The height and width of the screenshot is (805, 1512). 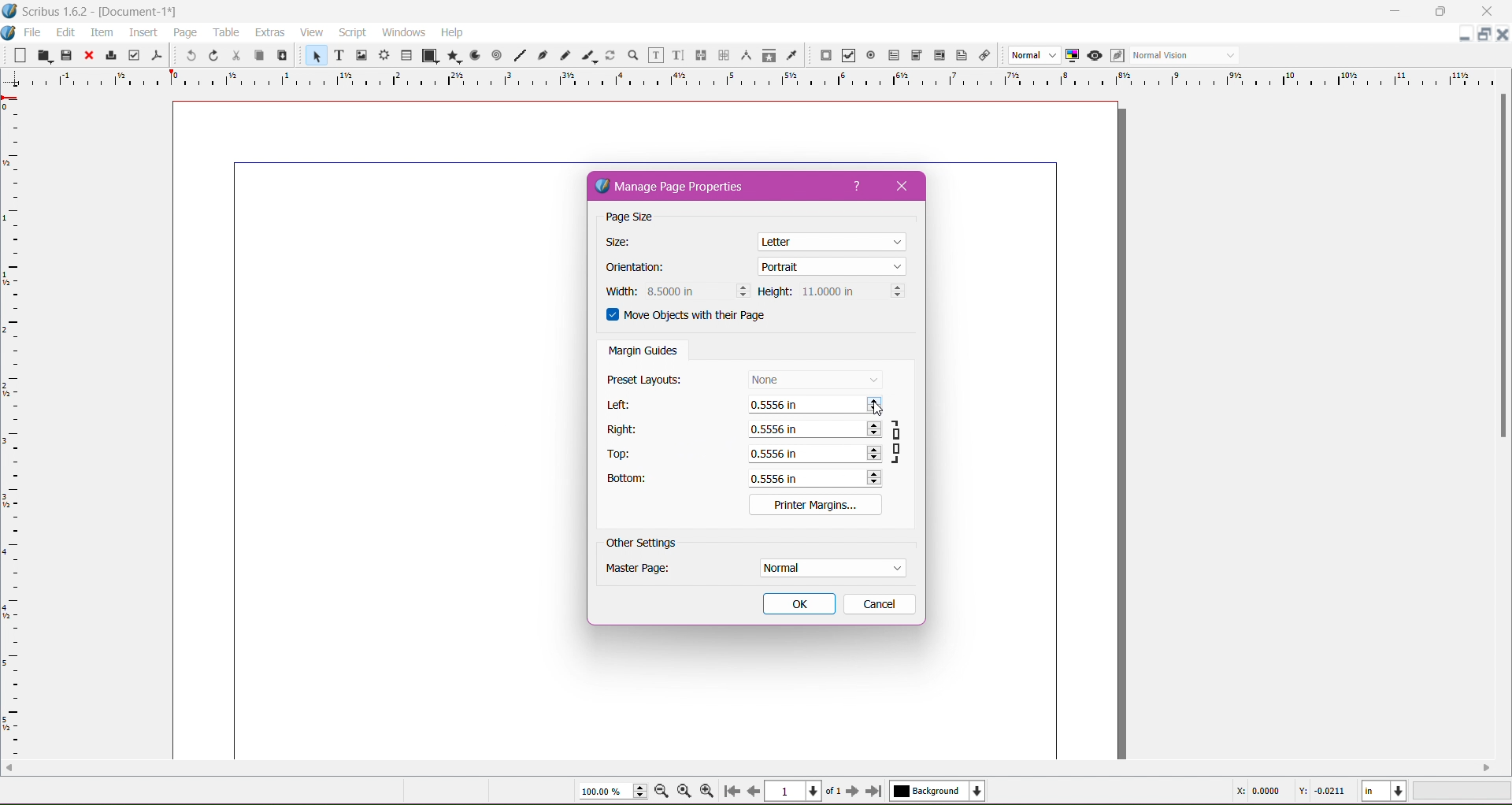 I want to click on Preflight Verifier, so click(x=134, y=55).